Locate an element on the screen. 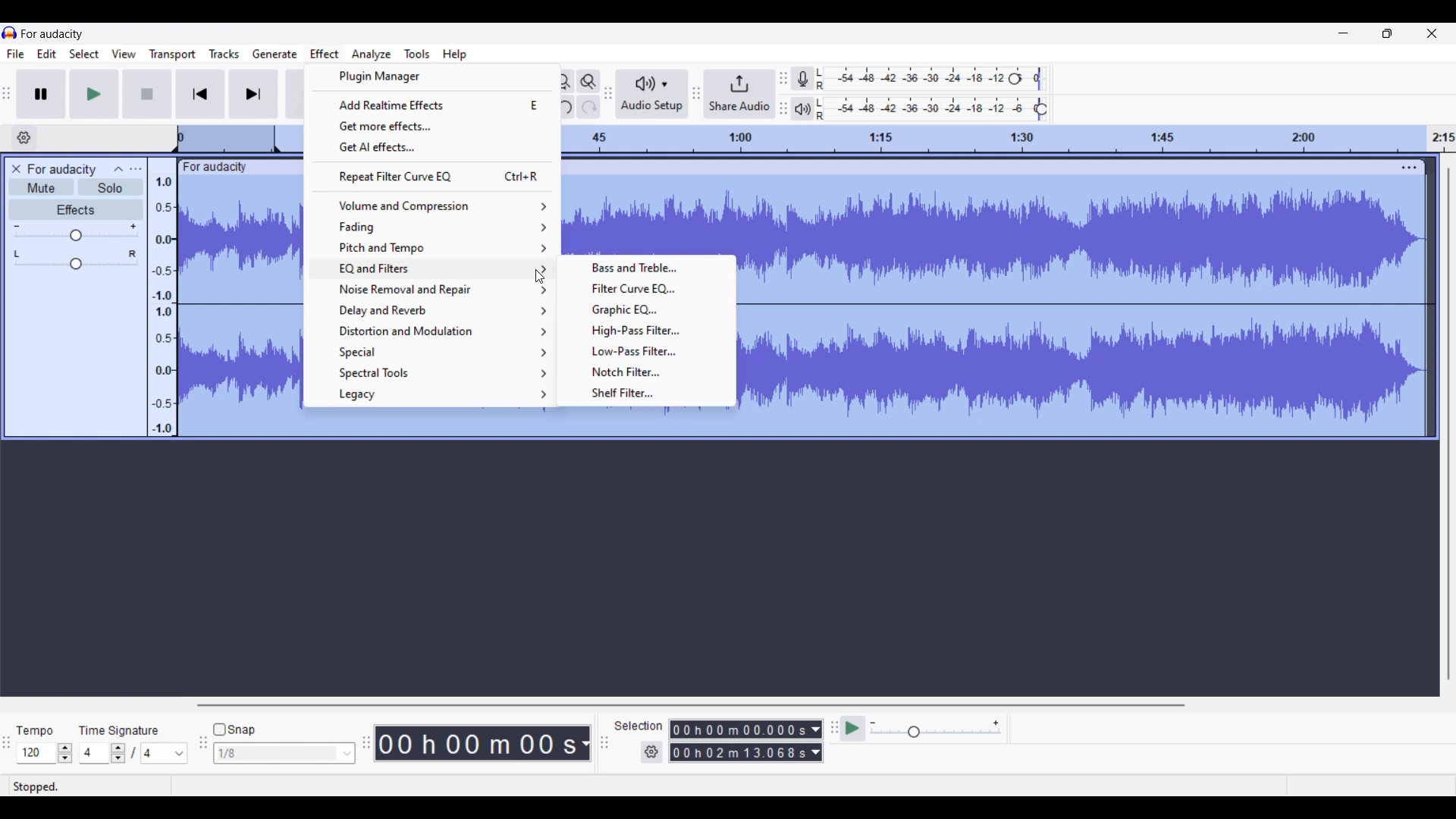  Fit project to width is located at coordinates (563, 82).